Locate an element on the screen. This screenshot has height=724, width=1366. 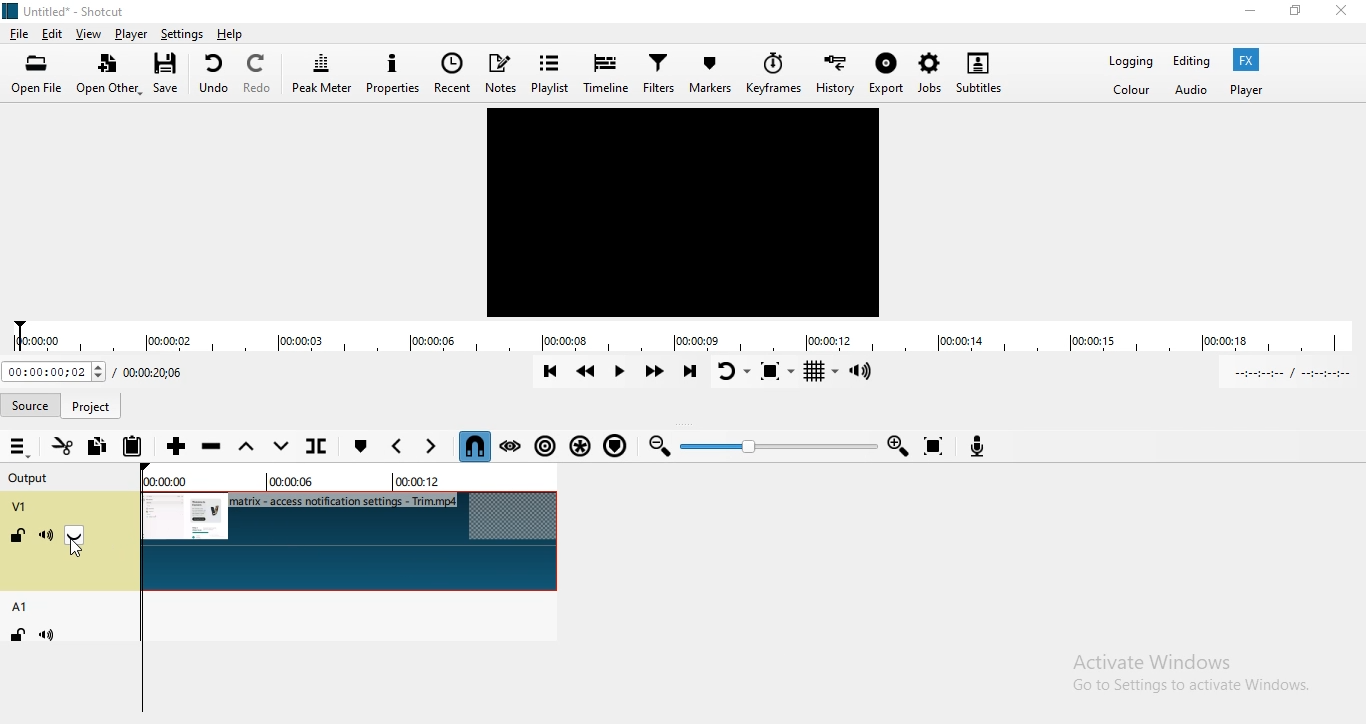
shotcut is located at coordinates (67, 12).